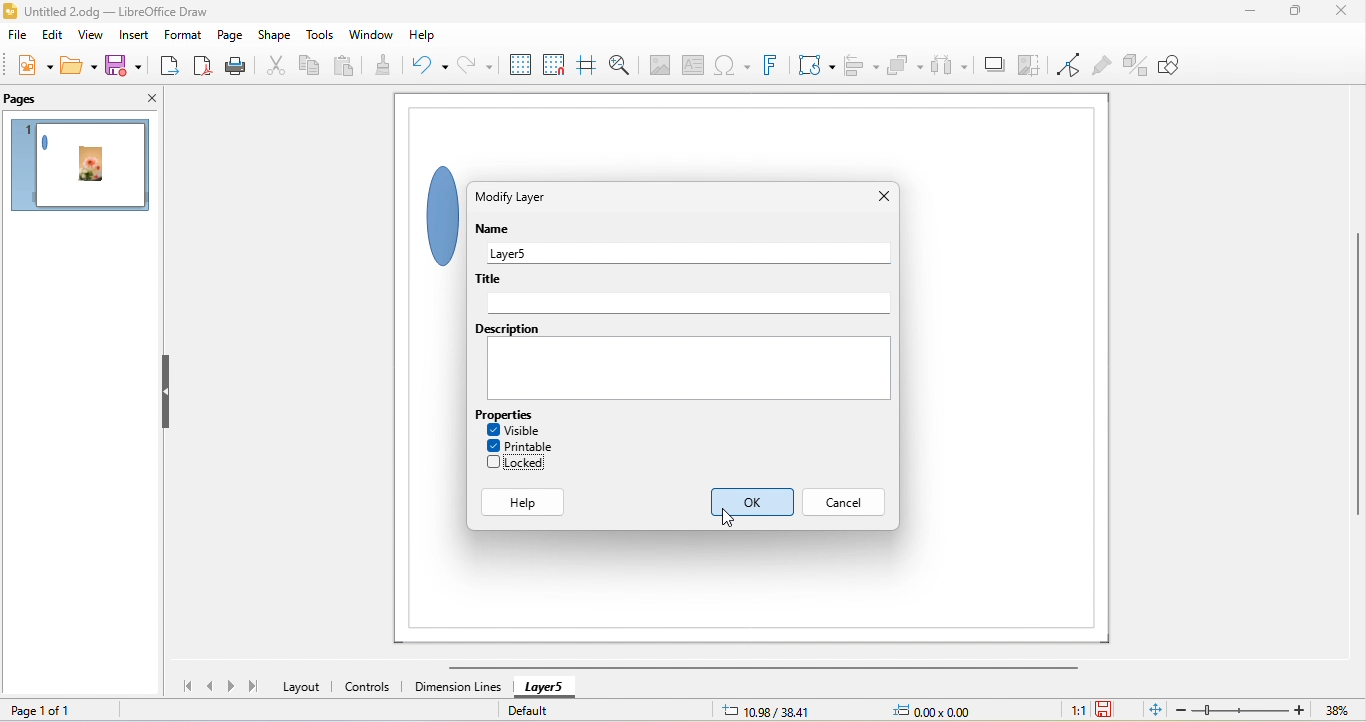  Describe the element at coordinates (775, 65) in the screenshot. I see `font work text` at that location.